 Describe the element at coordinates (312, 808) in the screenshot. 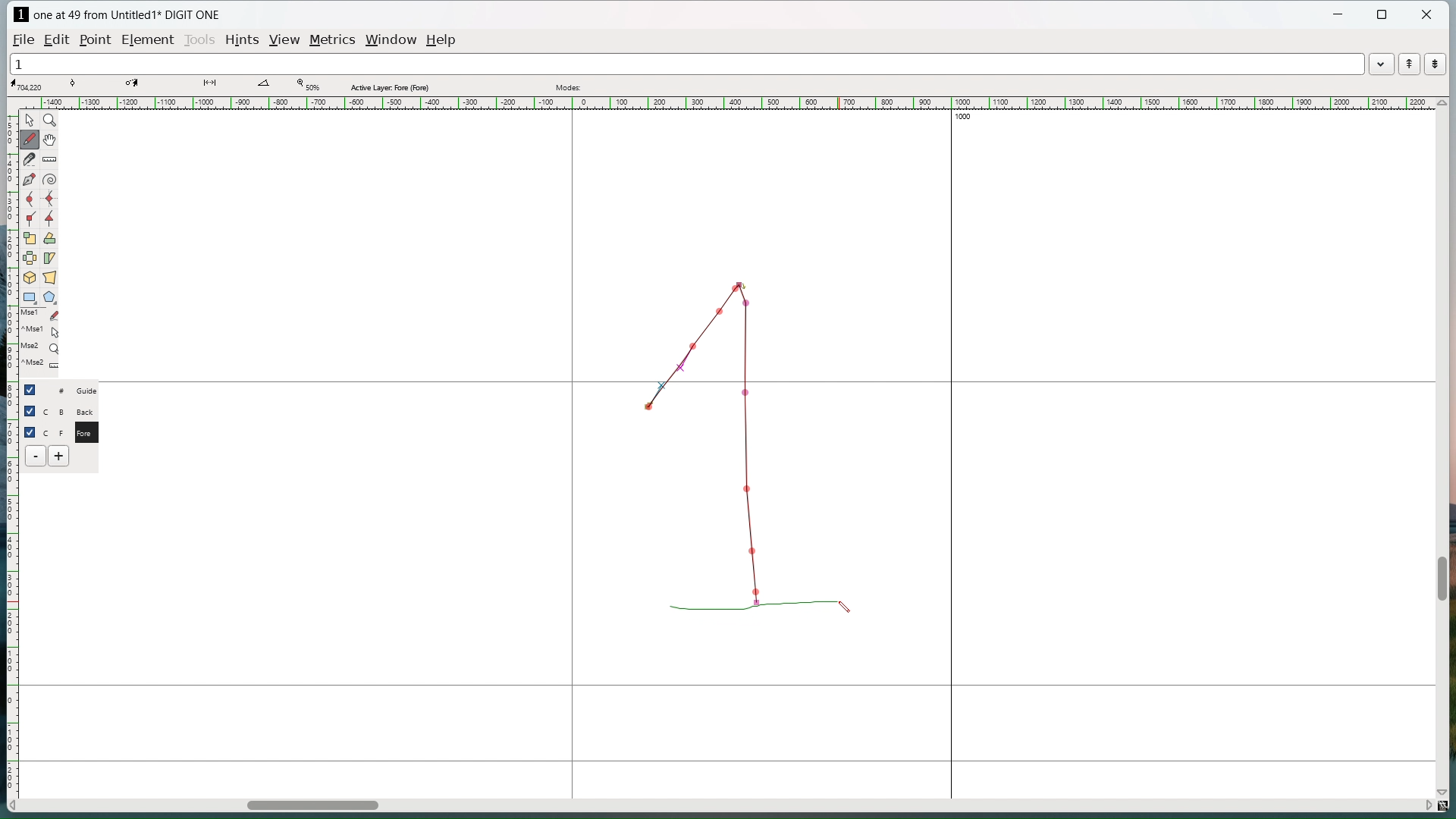

I see `horizontal scrollbar` at that location.